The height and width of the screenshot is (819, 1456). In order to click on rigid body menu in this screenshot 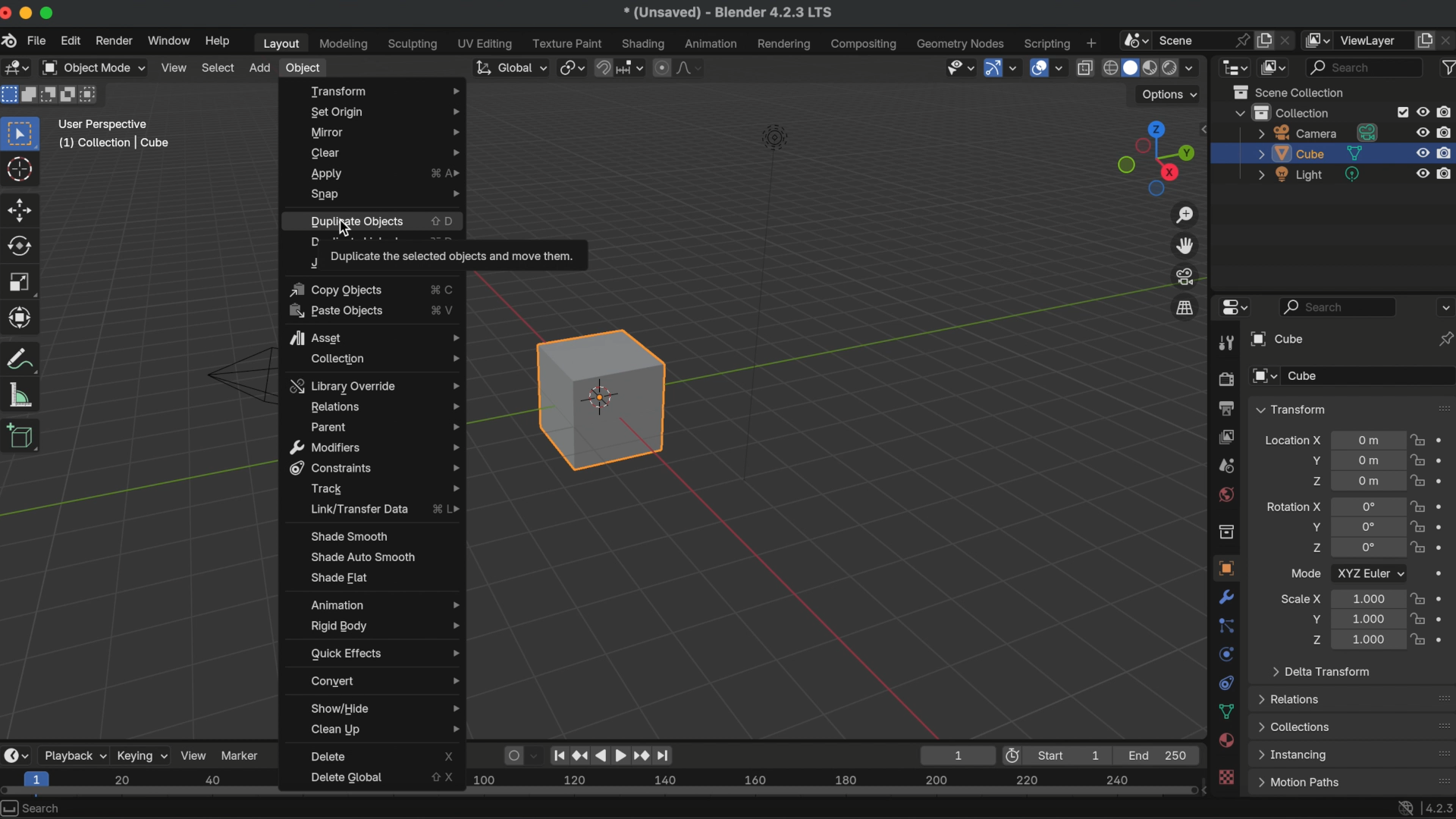, I will do `click(383, 627)`.